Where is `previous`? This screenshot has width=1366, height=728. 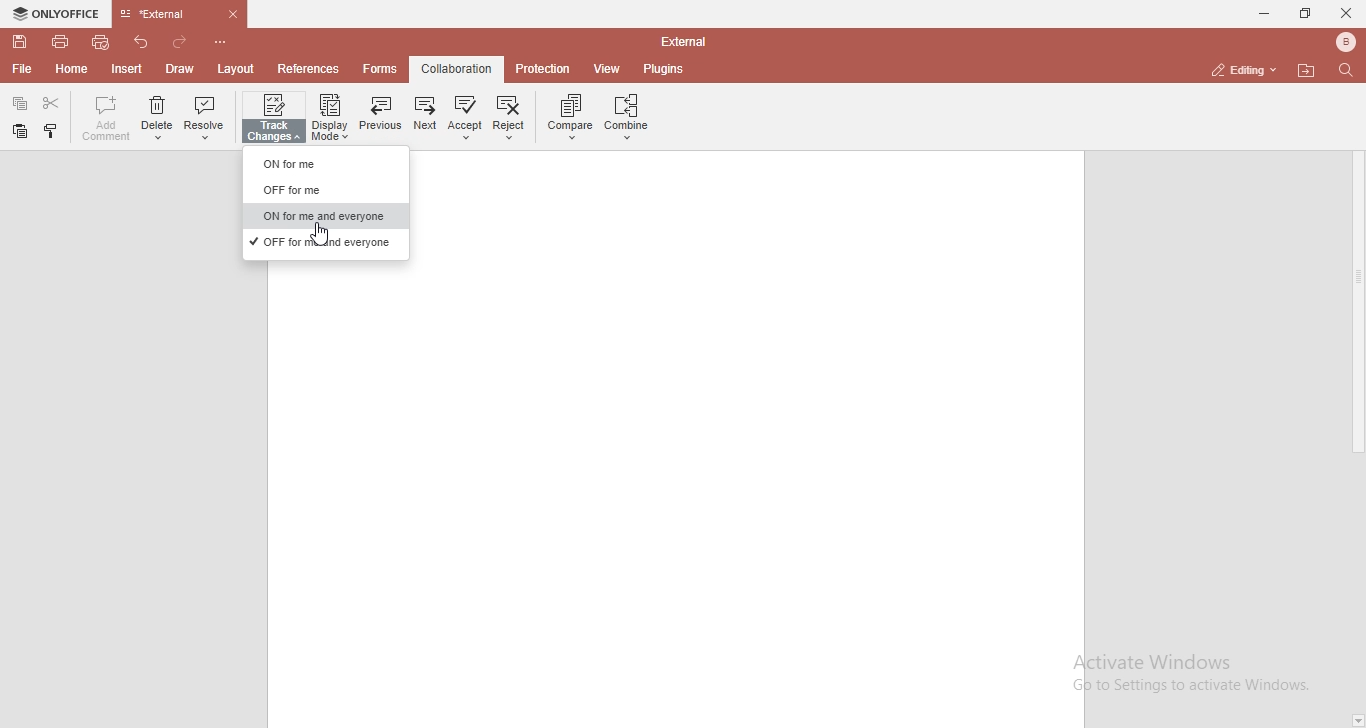 previous is located at coordinates (379, 114).